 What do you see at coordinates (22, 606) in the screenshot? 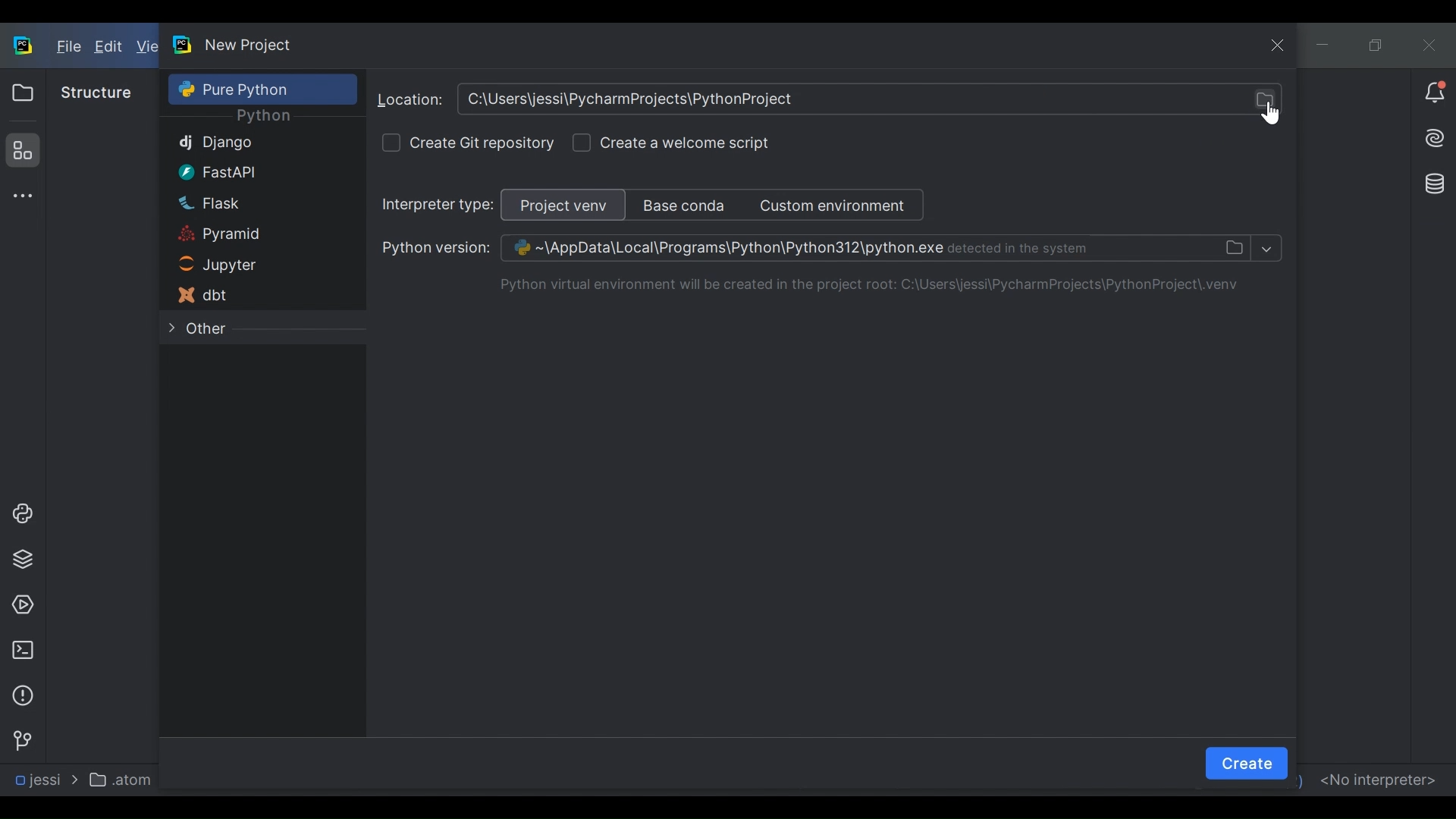
I see `Services` at bounding box center [22, 606].